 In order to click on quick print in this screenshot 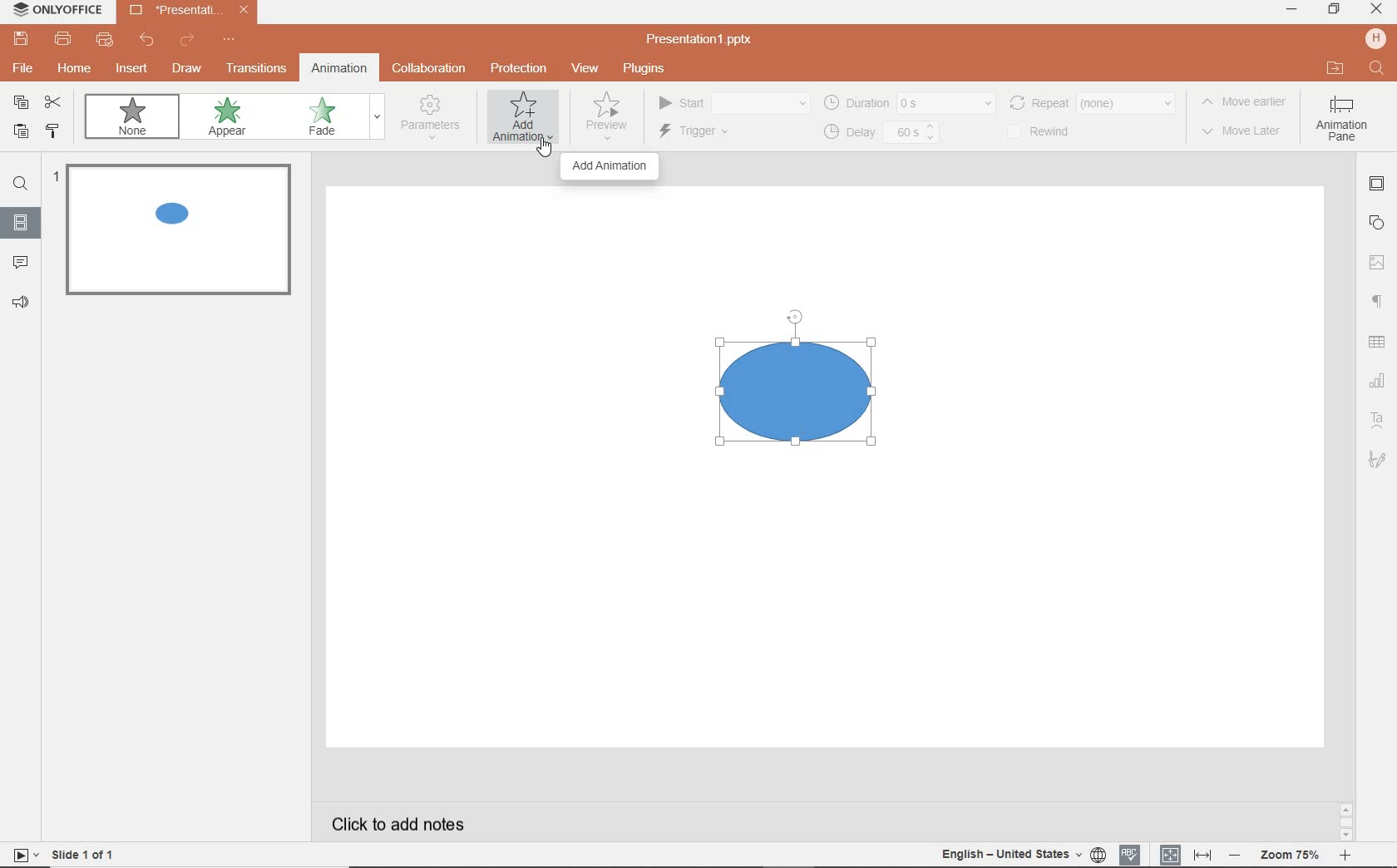, I will do `click(106, 42)`.